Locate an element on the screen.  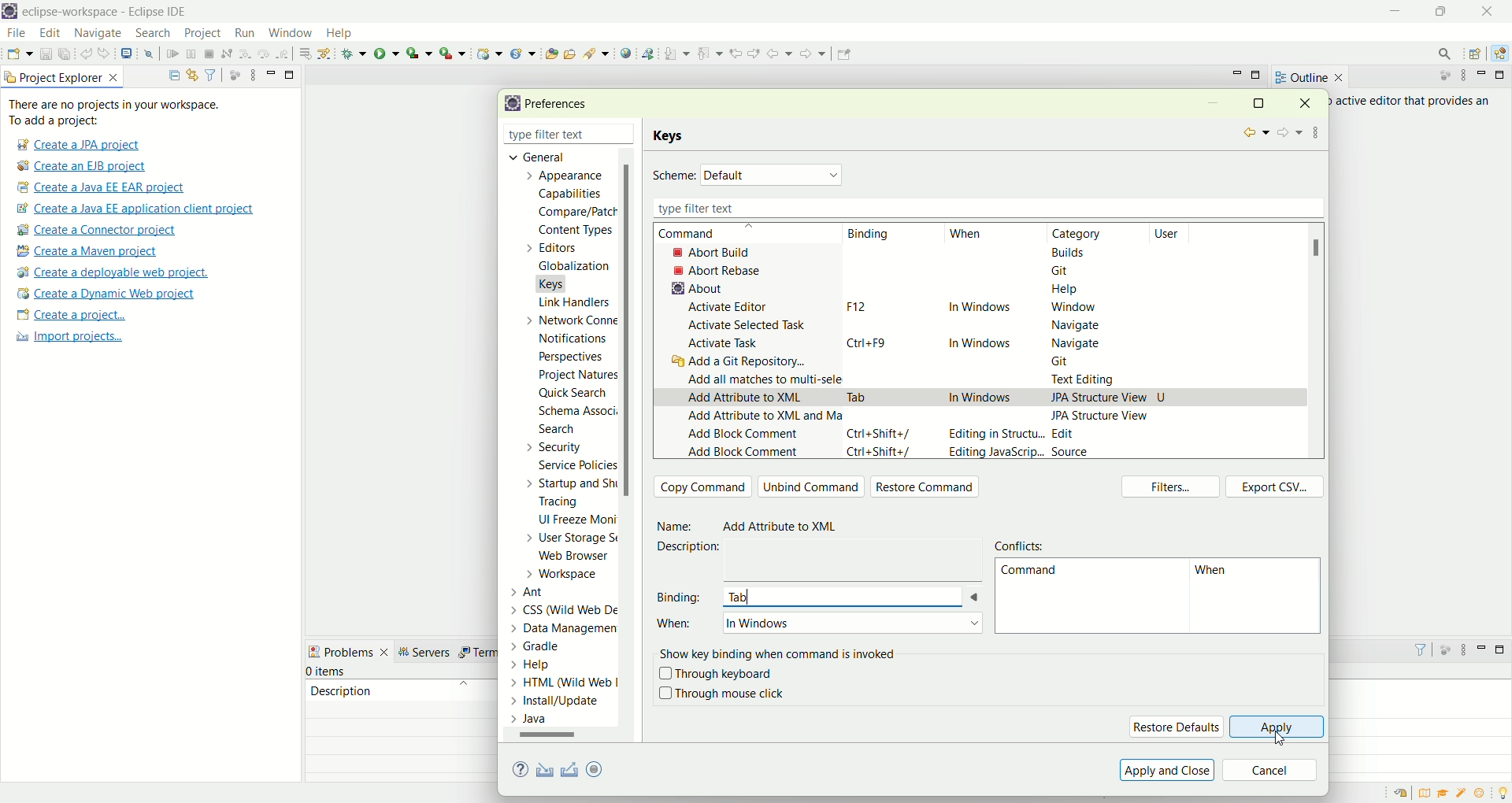
text editing is located at coordinates (1088, 380).